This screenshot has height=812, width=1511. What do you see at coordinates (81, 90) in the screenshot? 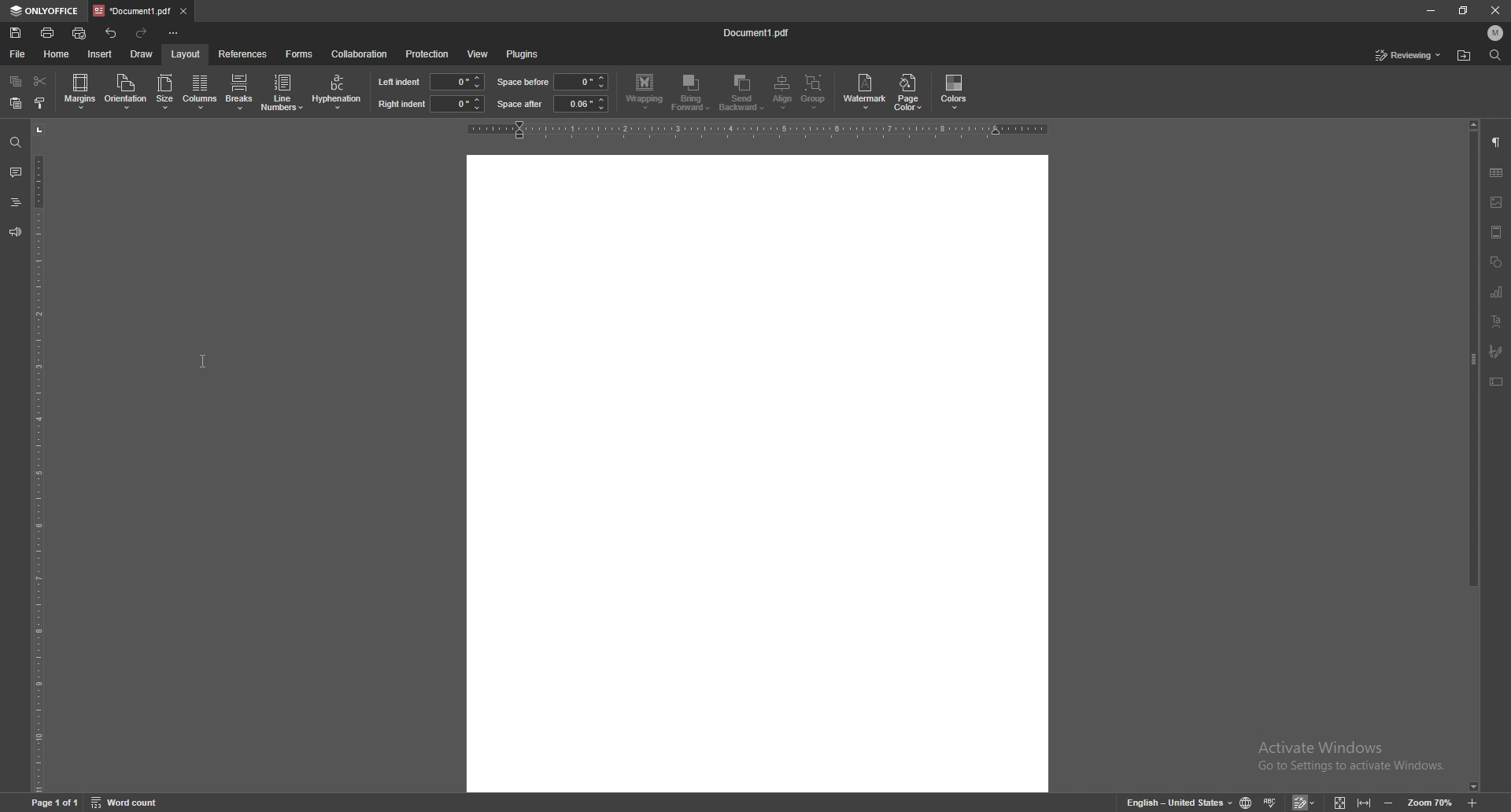
I see `margins` at bounding box center [81, 90].